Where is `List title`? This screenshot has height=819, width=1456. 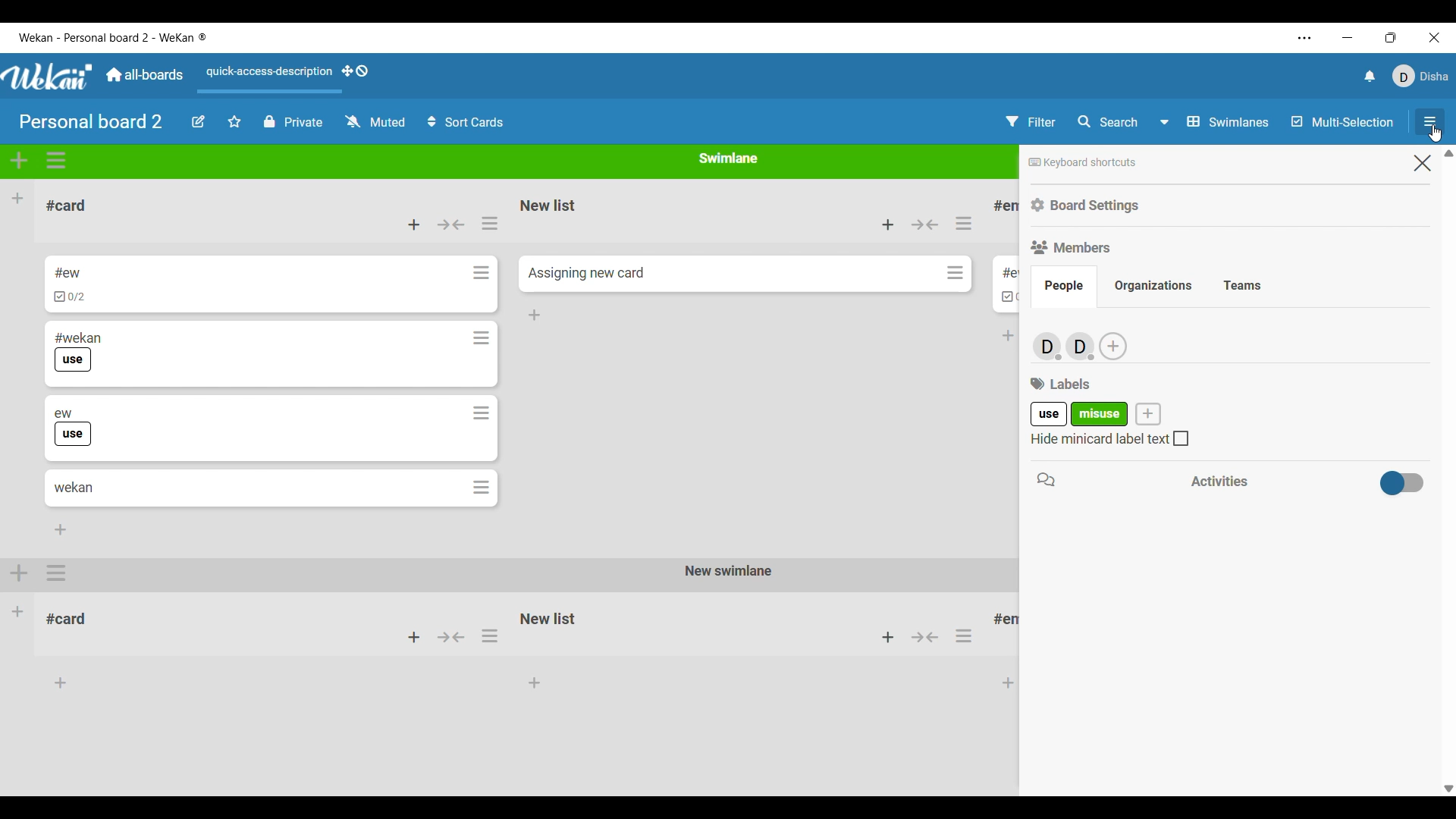 List title is located at coordinates (66, 206).